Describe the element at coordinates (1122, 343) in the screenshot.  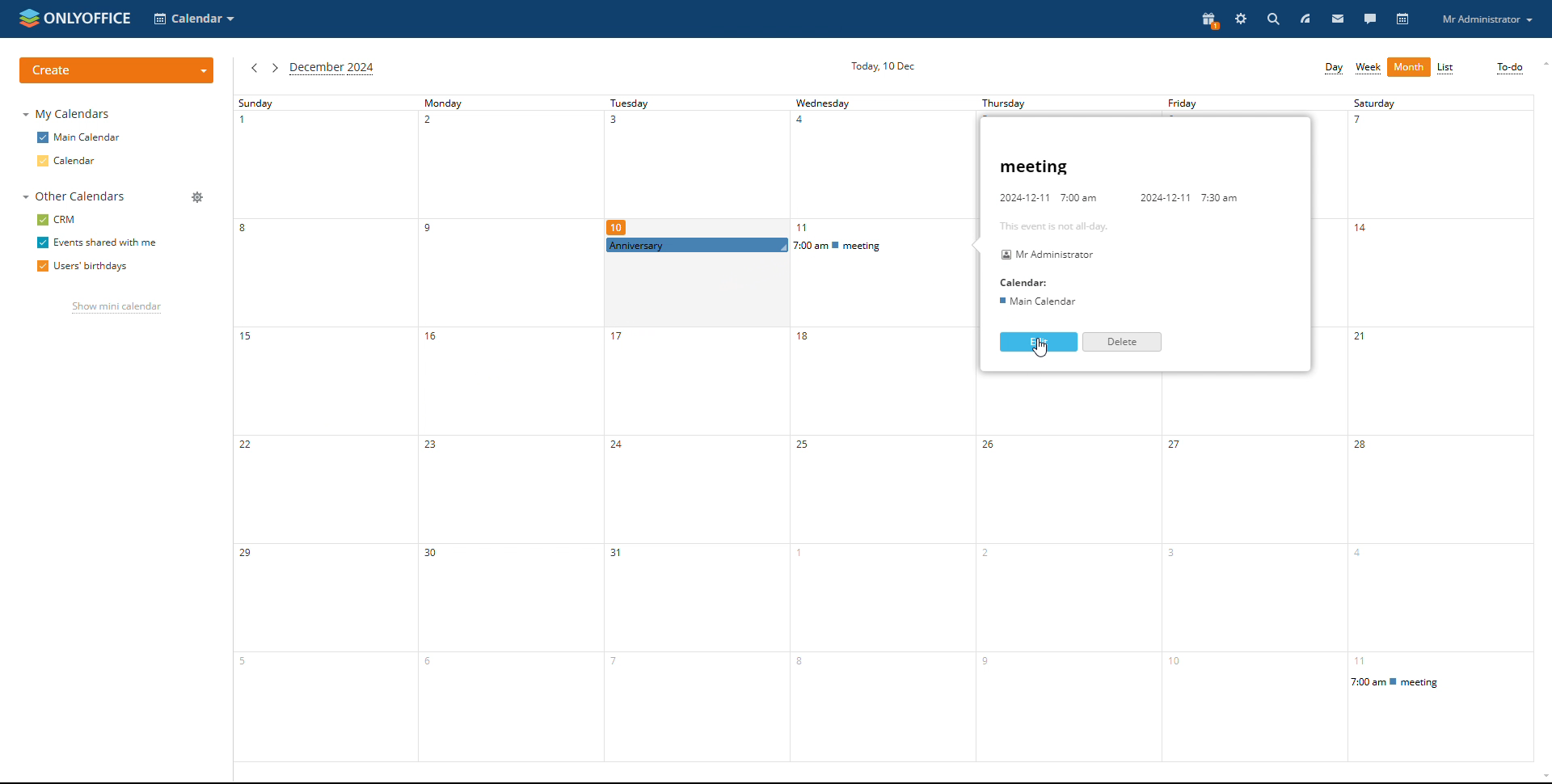
I see `delete` at that location.